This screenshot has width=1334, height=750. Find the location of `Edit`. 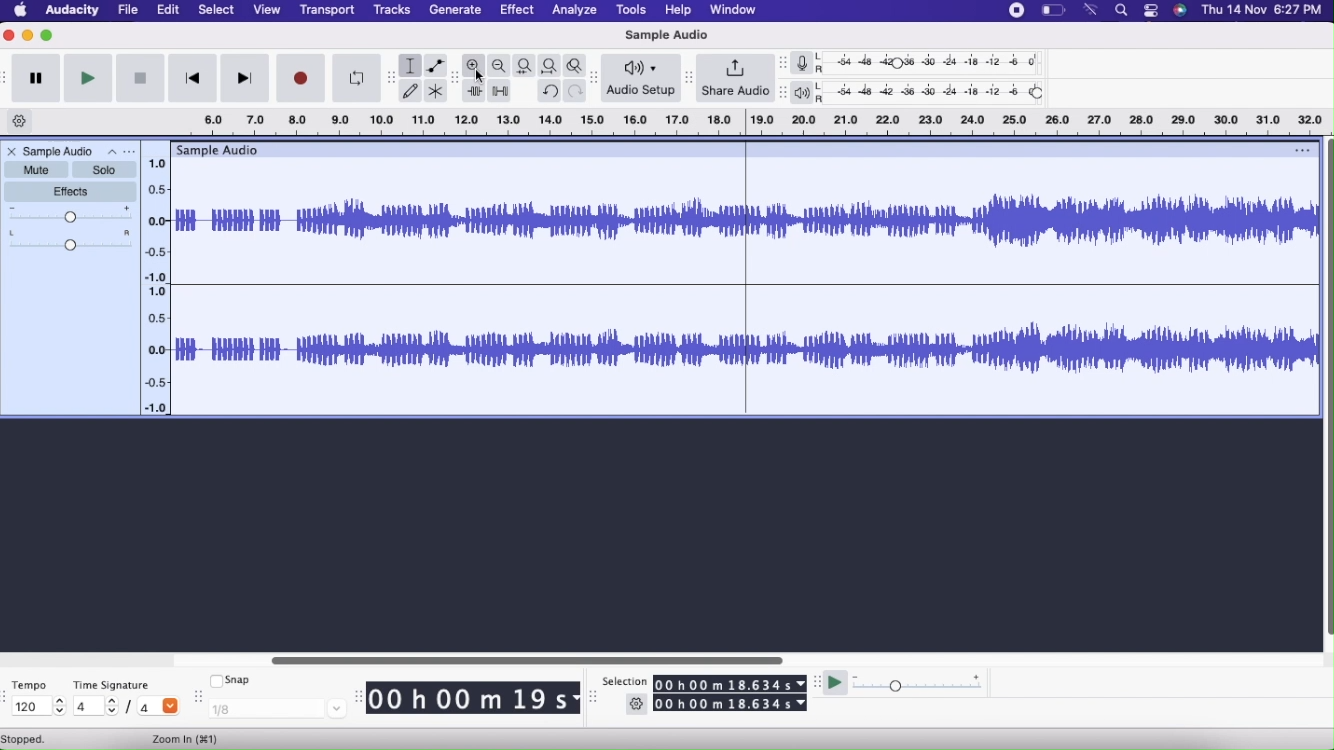

Edit is located at coordinates (170, 10).